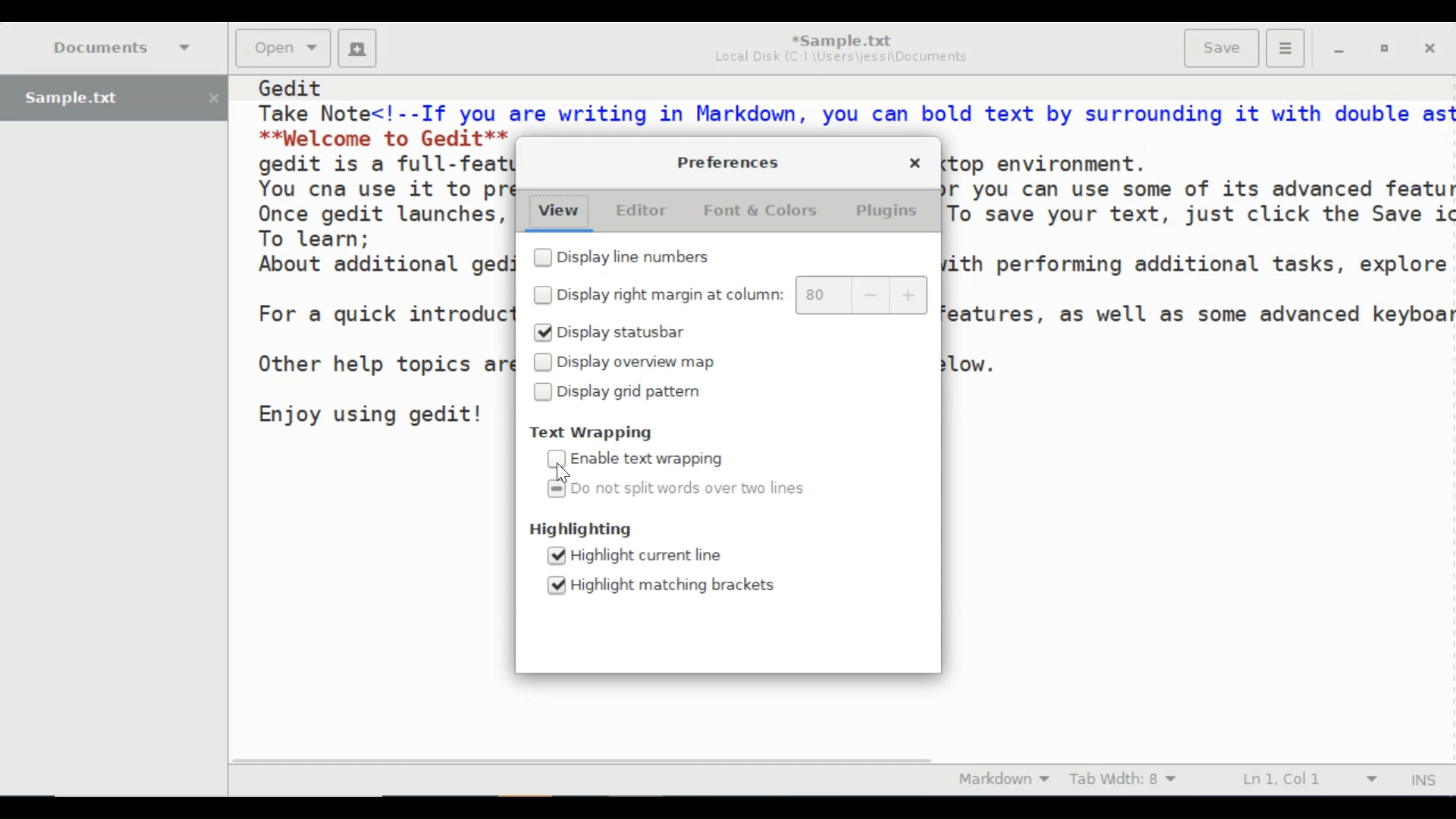  I want to click on Application menu, so click(1285, 47).